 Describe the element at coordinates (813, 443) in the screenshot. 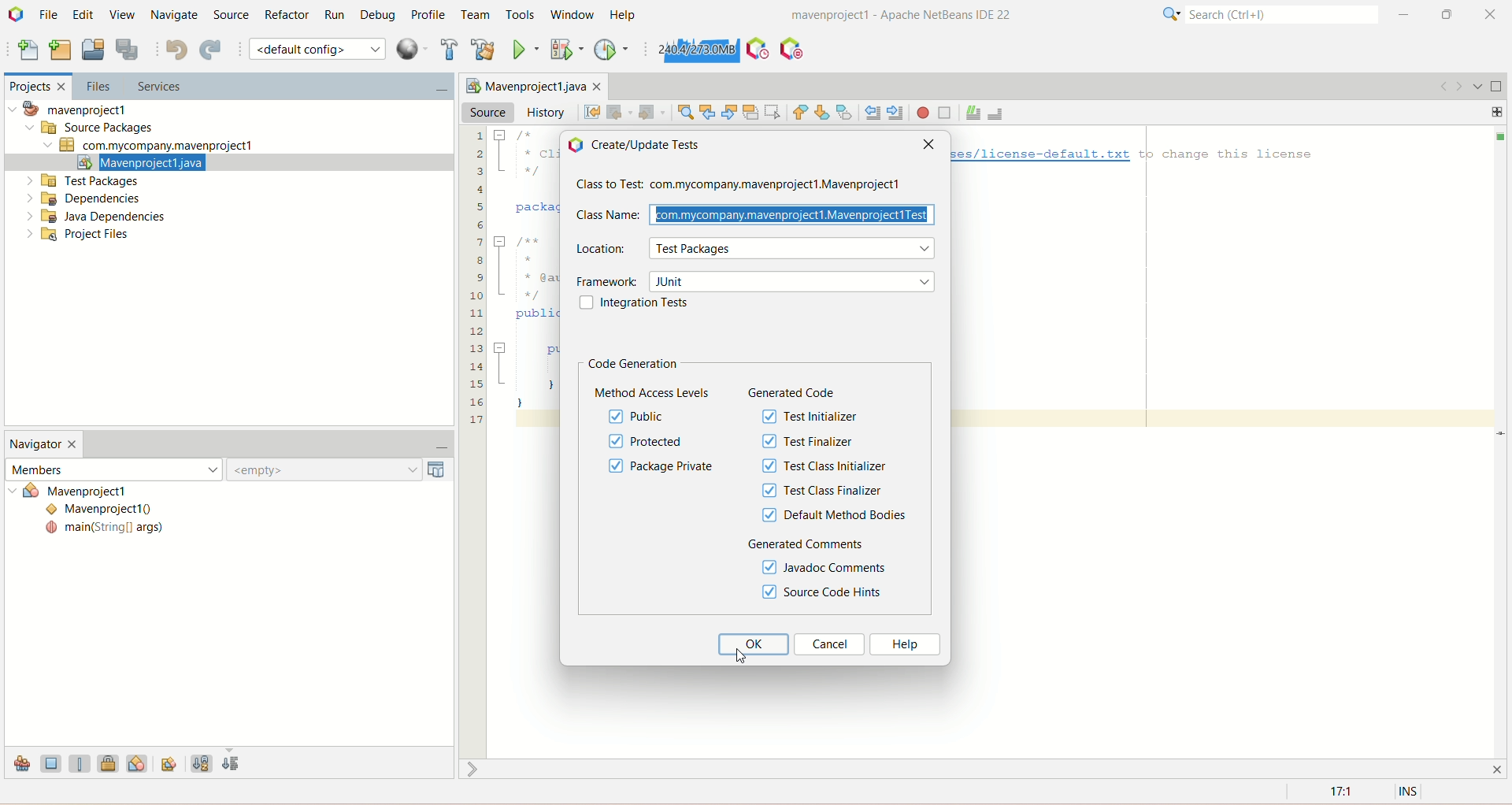

I see `test finalizer` at that location.